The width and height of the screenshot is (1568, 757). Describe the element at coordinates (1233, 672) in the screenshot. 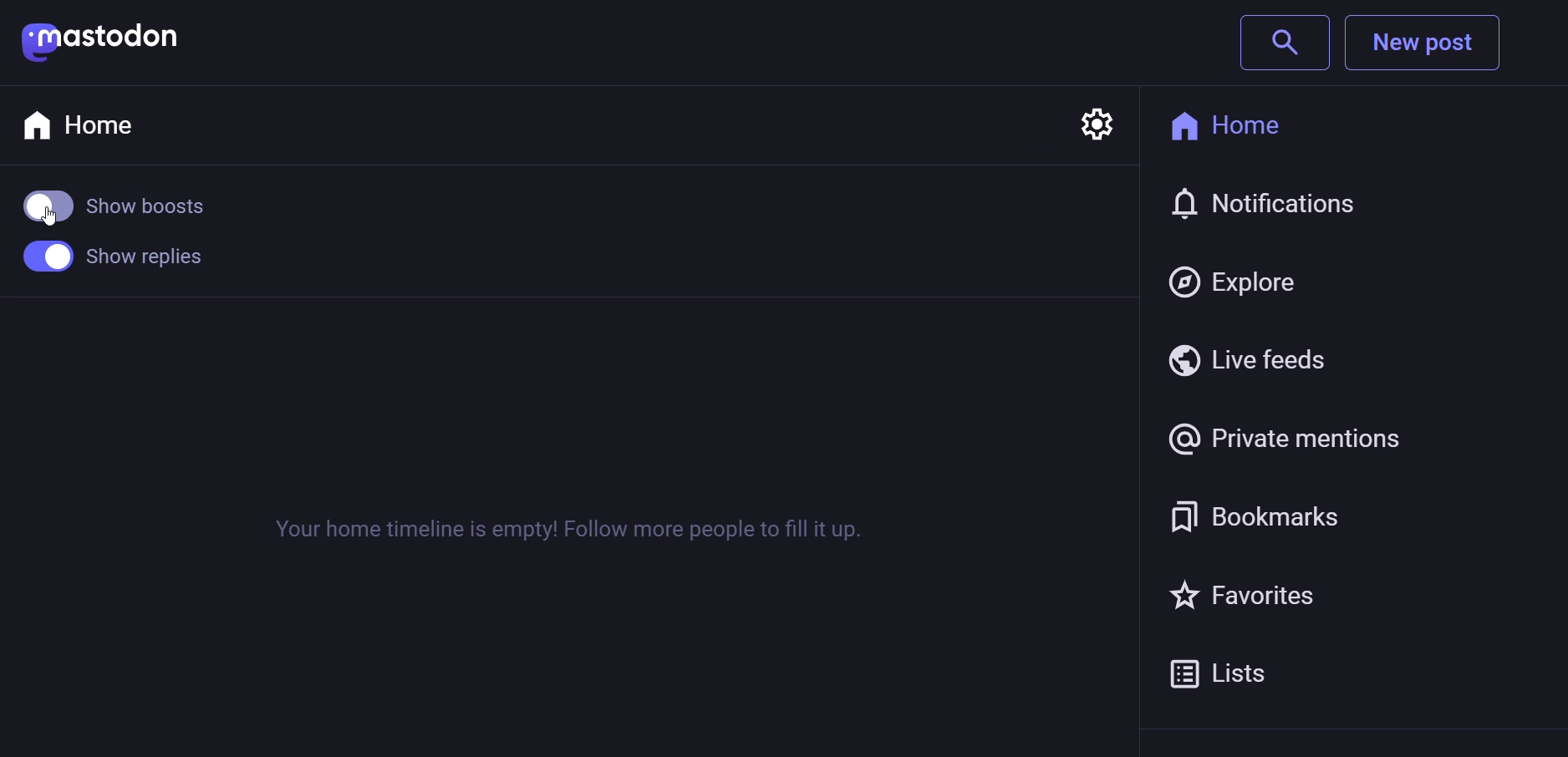

I see `list` at that location.